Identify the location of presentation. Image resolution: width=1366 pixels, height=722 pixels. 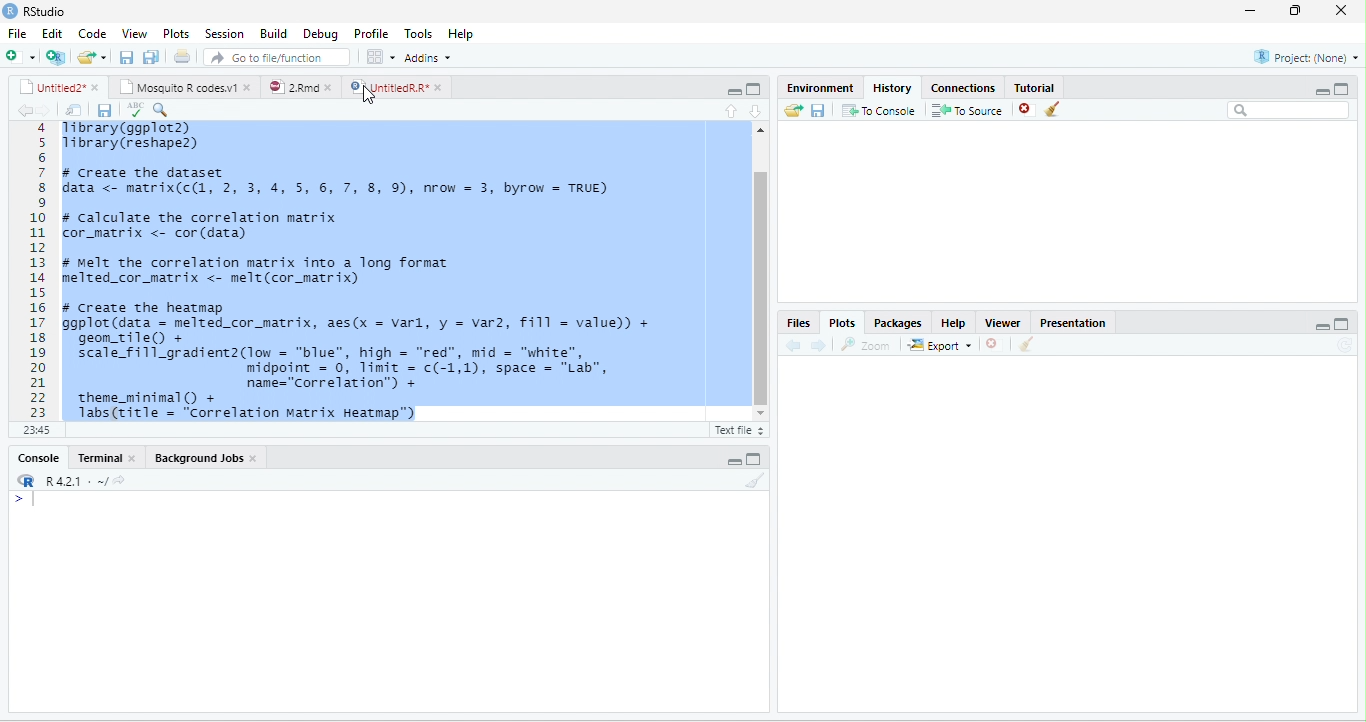
(1077, 320).